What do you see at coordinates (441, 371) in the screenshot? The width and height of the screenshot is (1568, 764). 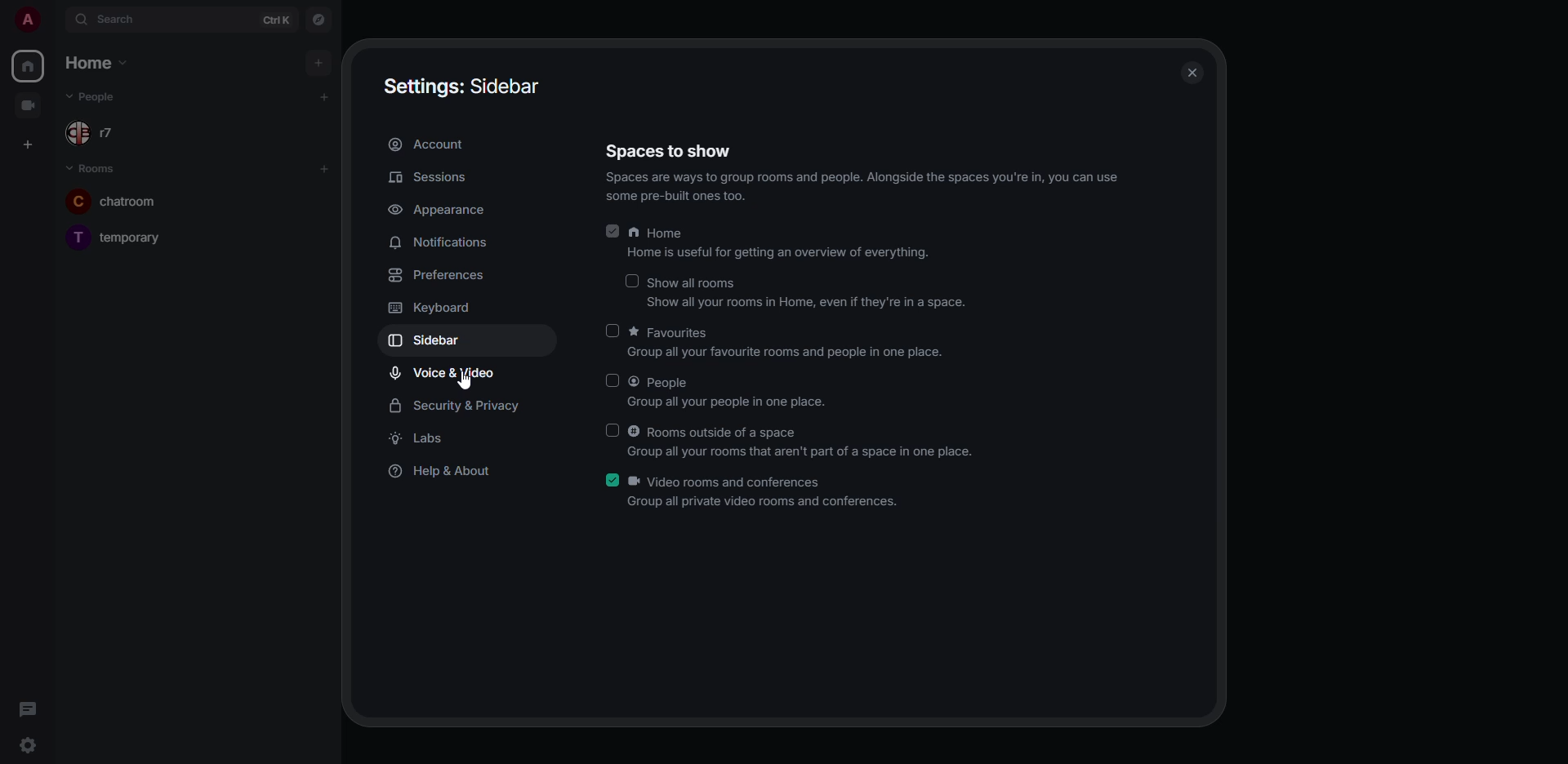 I see `voice & video` at bounding box center [441, 371].